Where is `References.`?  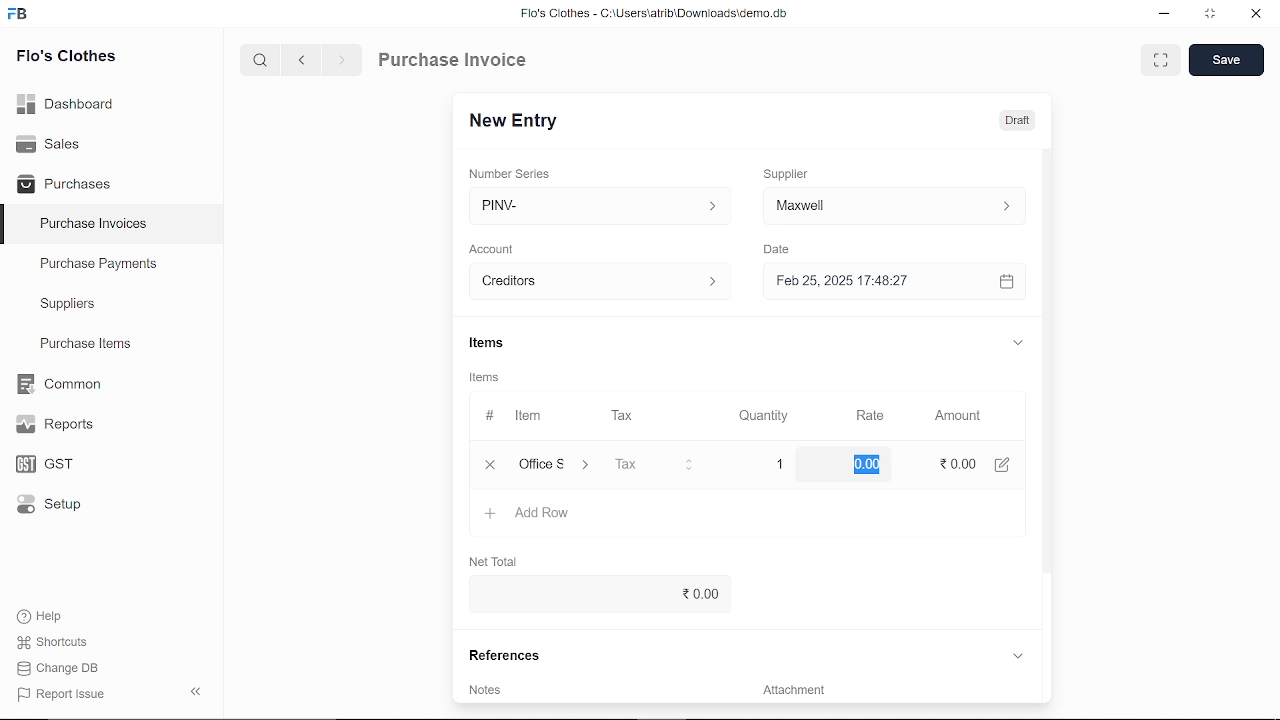 References. is located at coordinates (508, 655).